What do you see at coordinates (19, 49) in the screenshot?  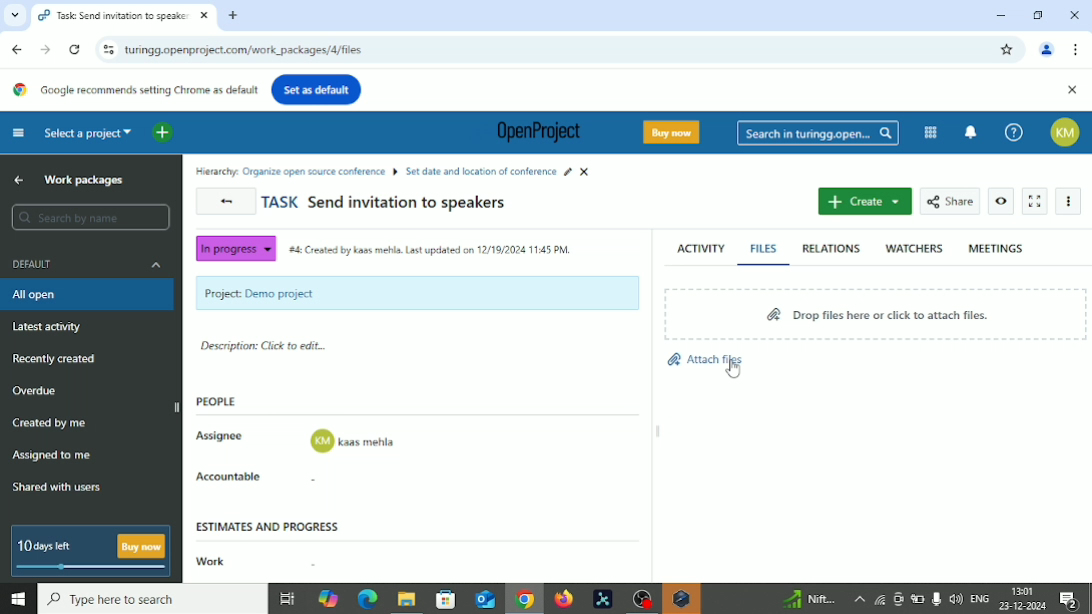 I see `Back` at bounding box center [19, 49].